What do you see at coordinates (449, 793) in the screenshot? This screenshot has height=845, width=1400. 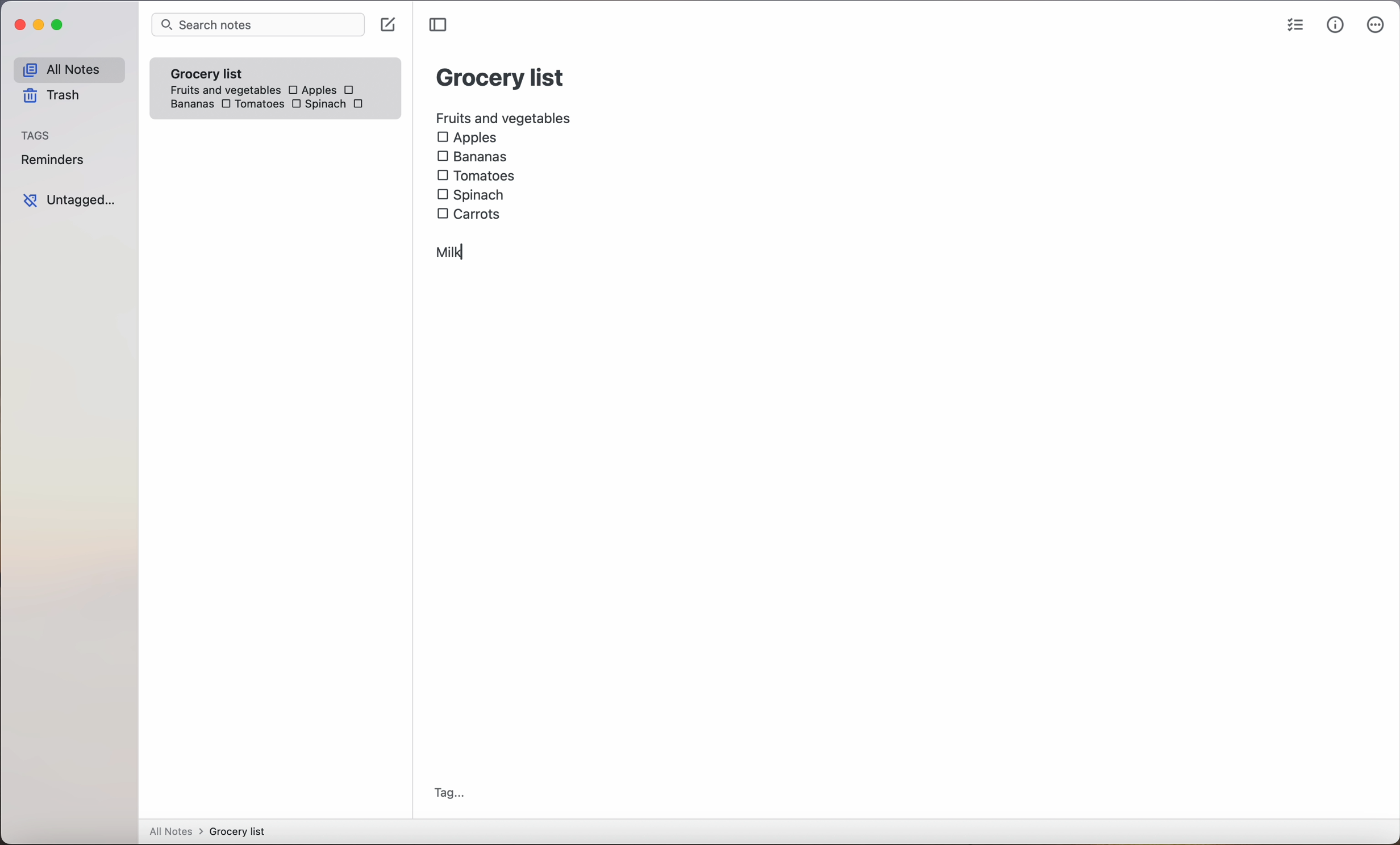 I see `tag` at bounding box center [449, 793].